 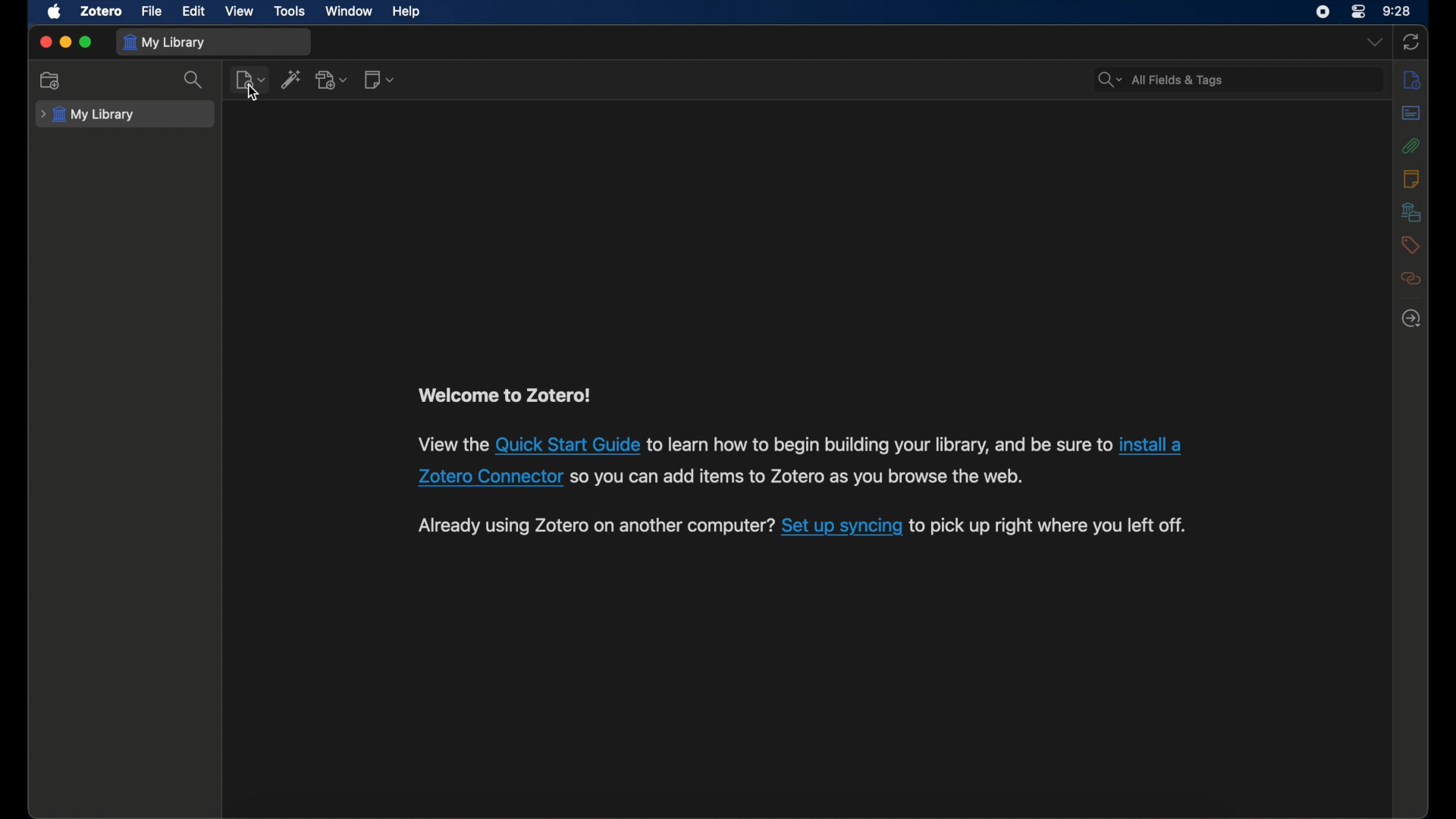 I want to click on new collection, so click(x=49, y=80).